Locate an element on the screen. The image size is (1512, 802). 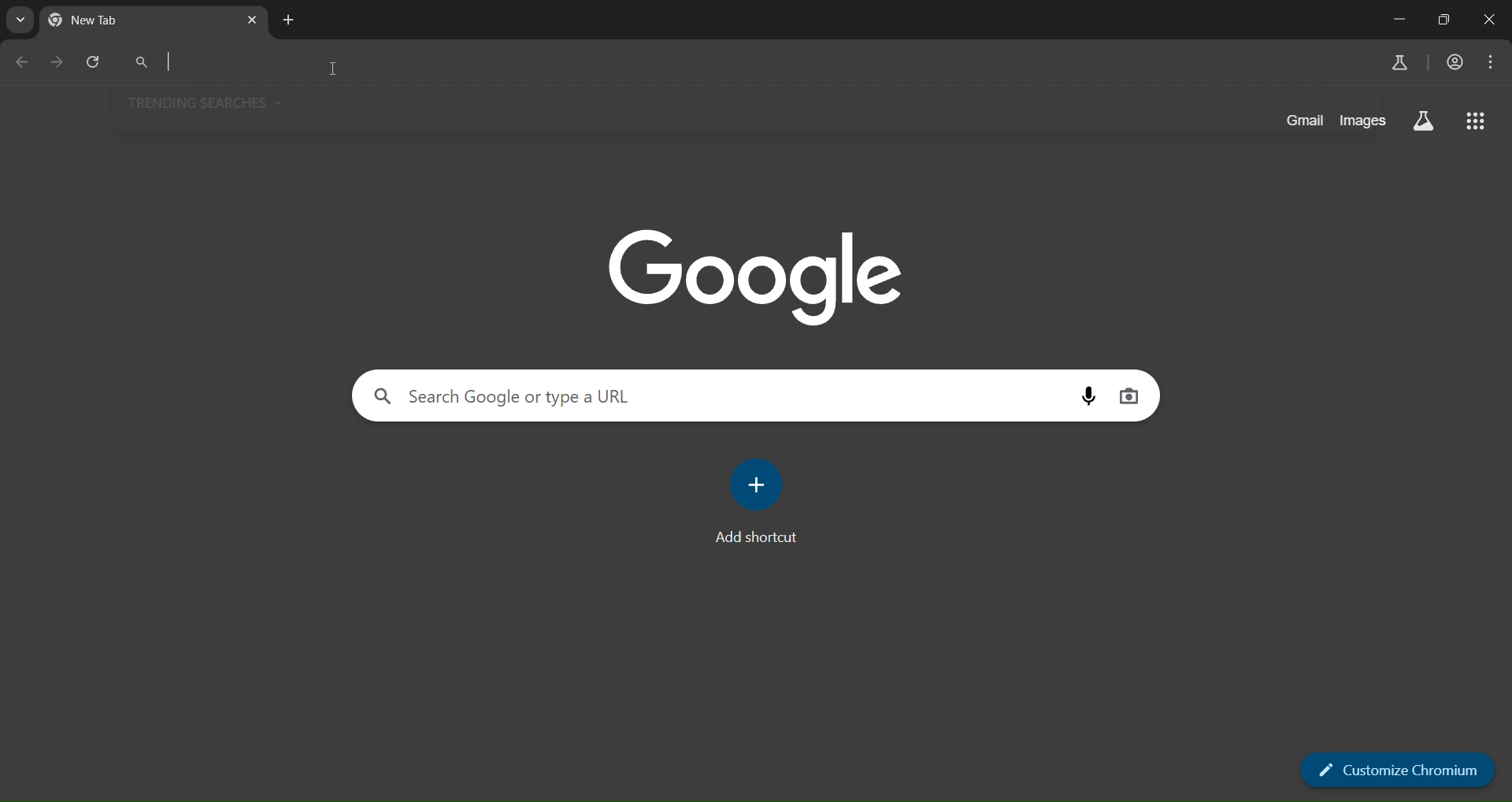
search labs is located at coordinates (1402, 62).